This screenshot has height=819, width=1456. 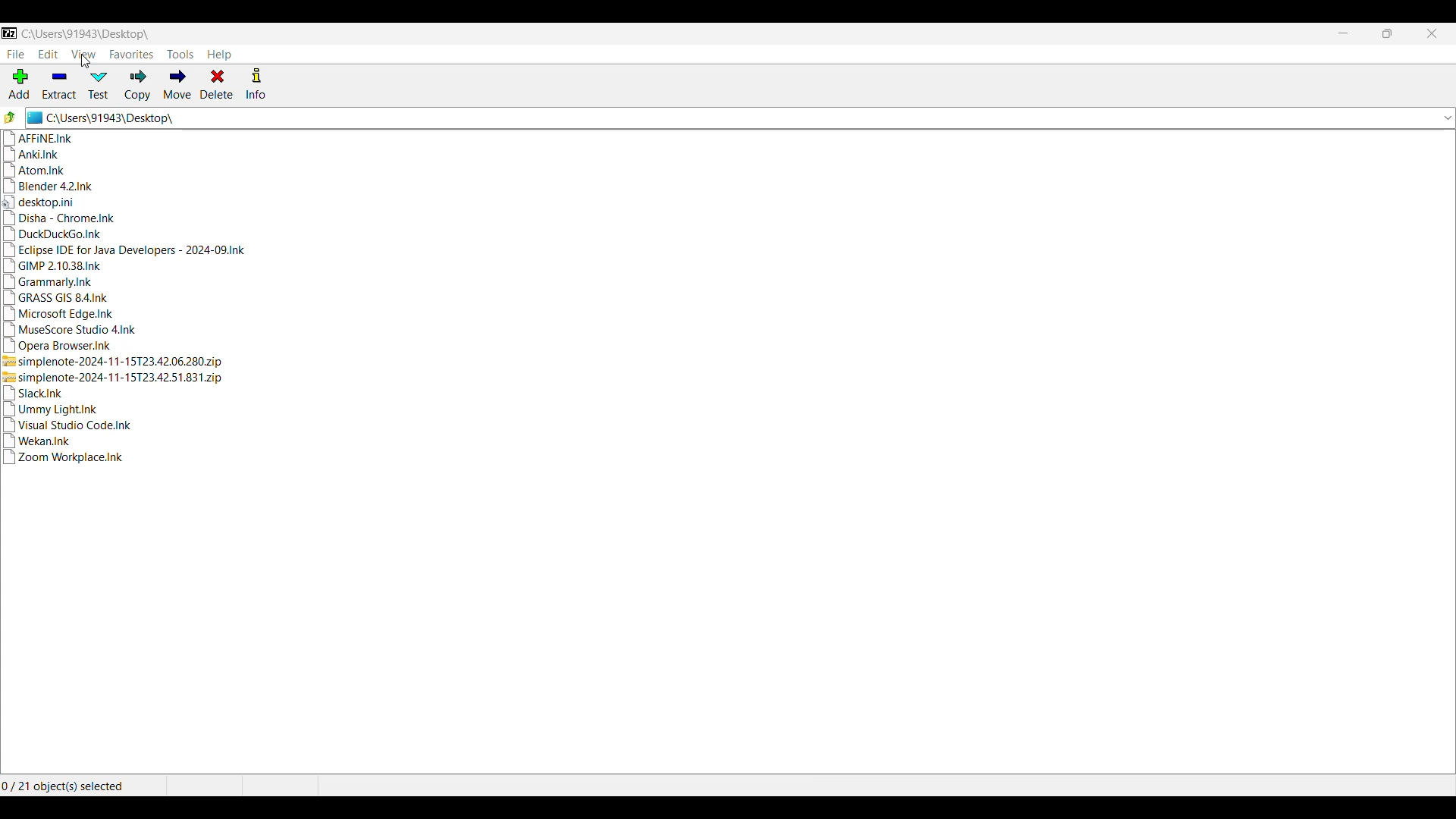 What do you see at coordinates (64, 346) in the screenshot?
I see `Opera Browser.Ink` at bounding box center [64, 346].